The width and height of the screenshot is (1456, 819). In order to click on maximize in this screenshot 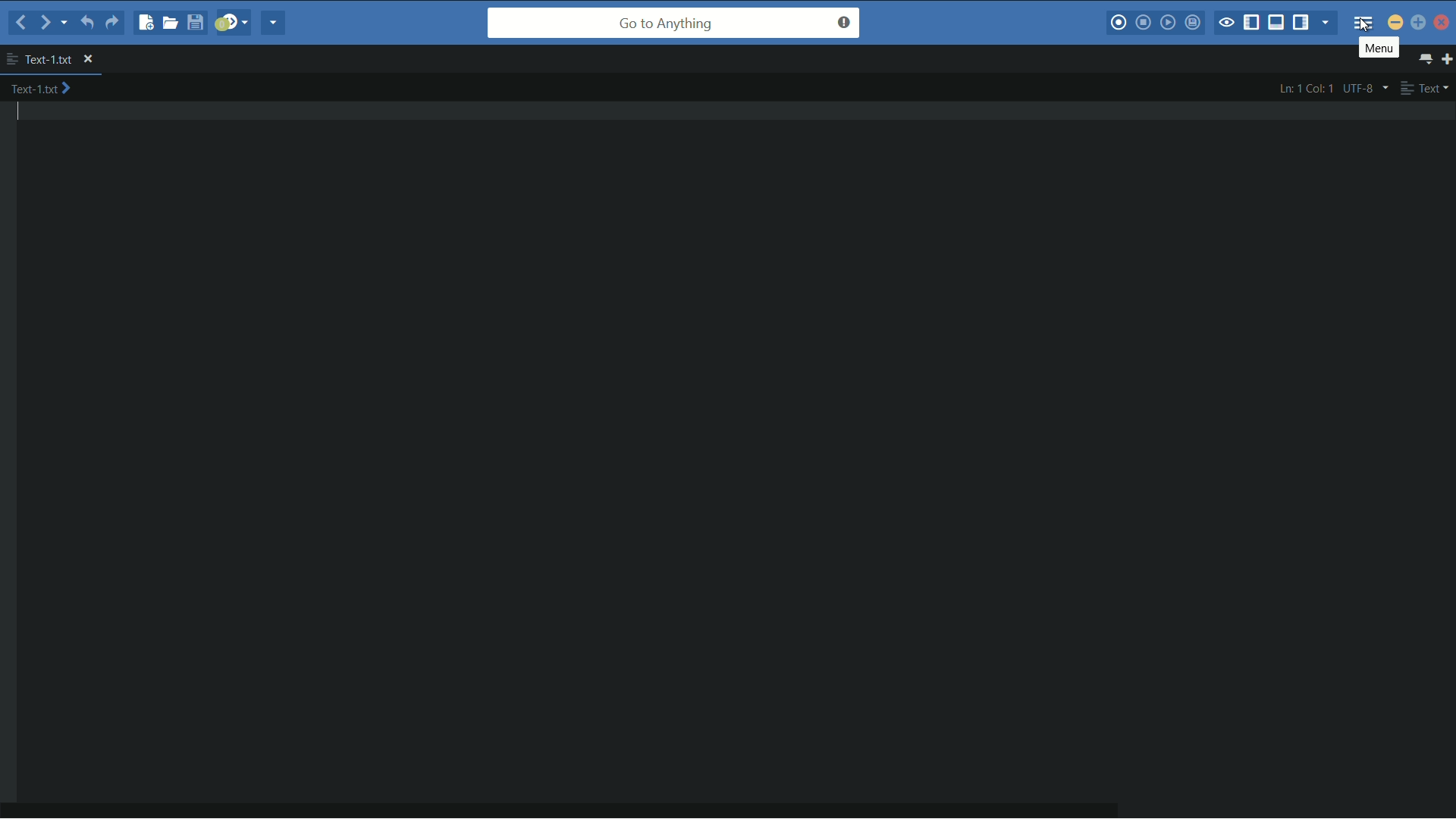, I will do `click(1419, 23)`.